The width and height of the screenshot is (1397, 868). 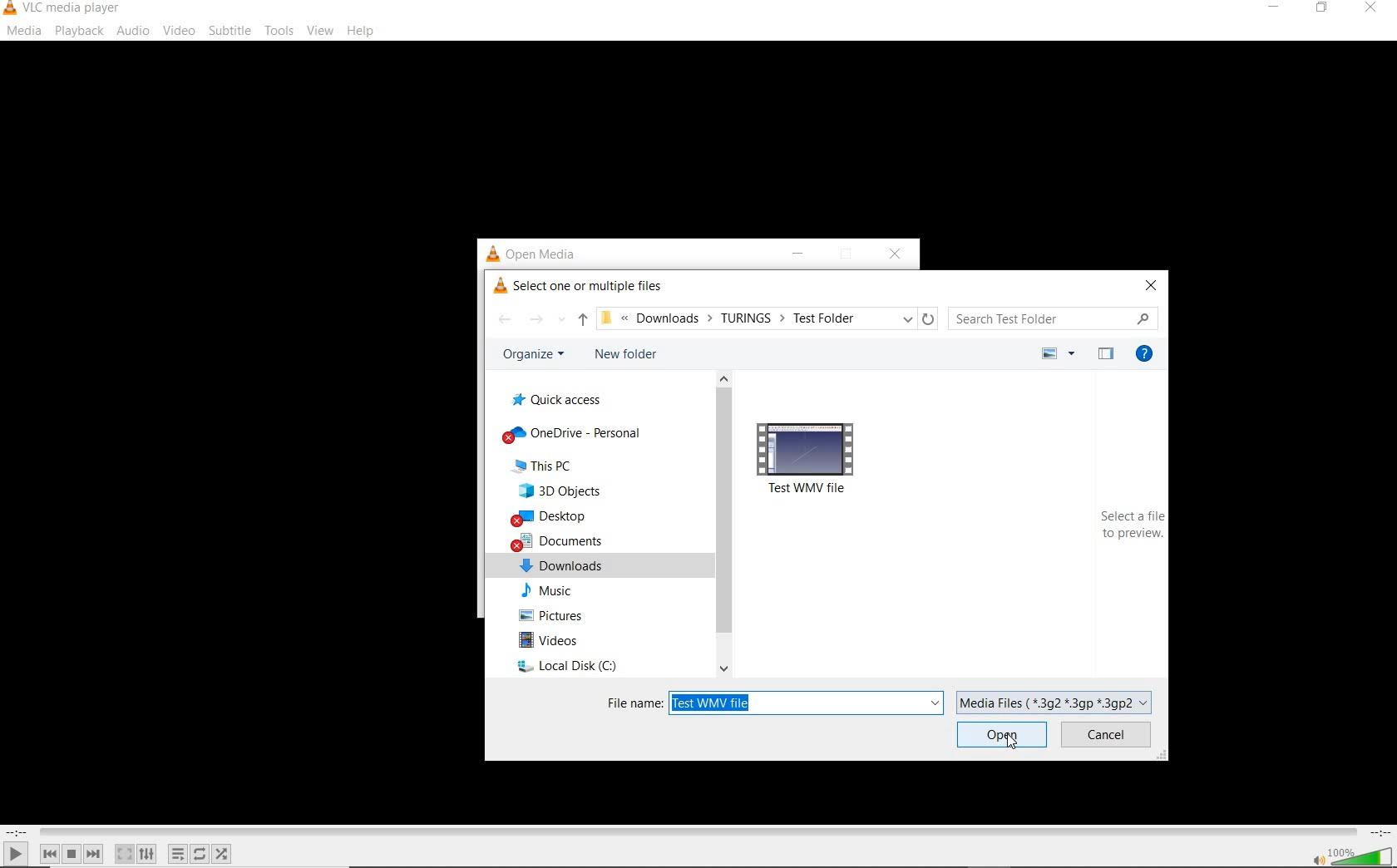 I want to click on subtitle, so click(x=230, y=31).